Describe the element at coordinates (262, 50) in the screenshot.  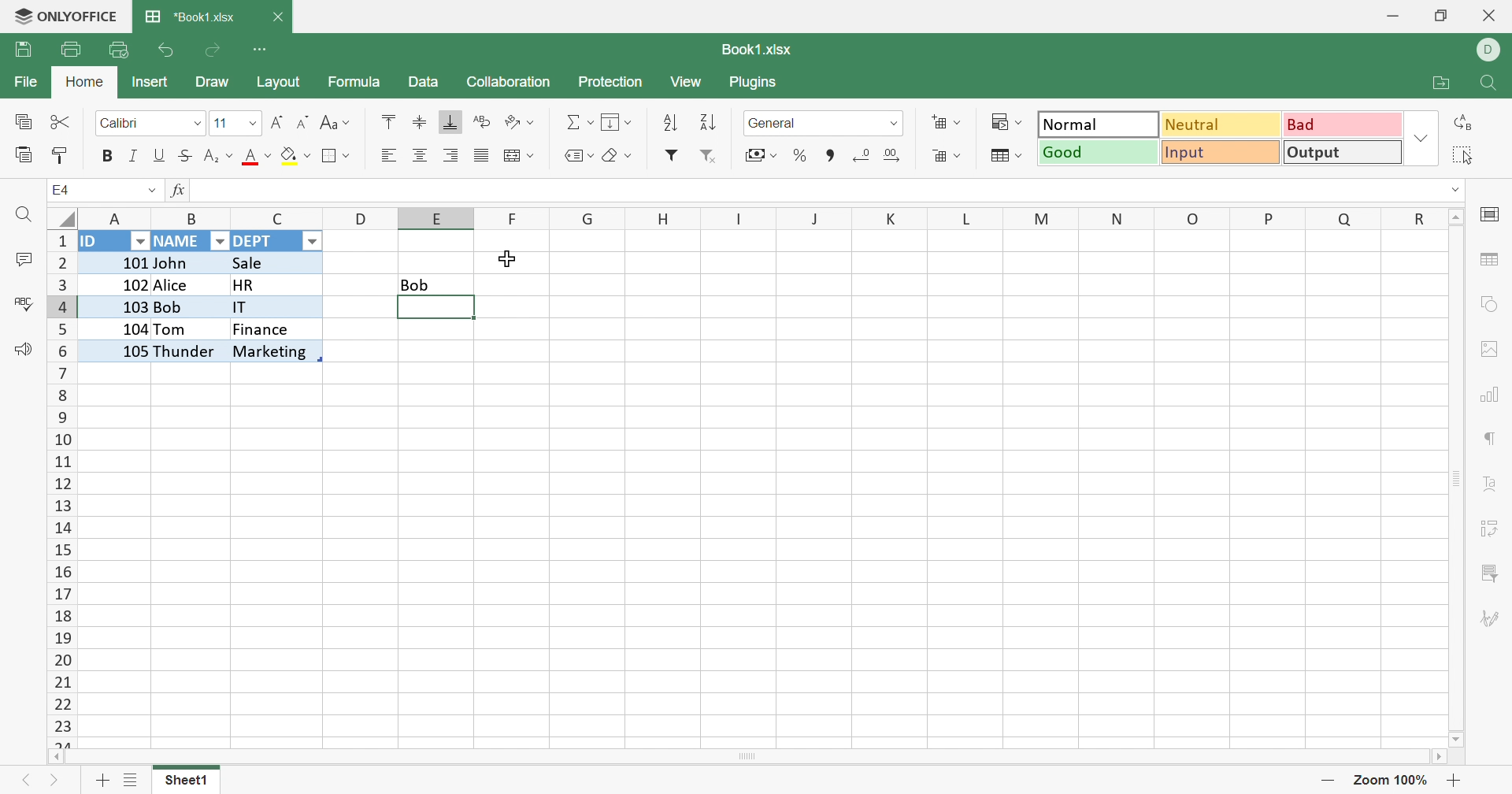
I see `Customize Quick Access Toolbar` at that location.